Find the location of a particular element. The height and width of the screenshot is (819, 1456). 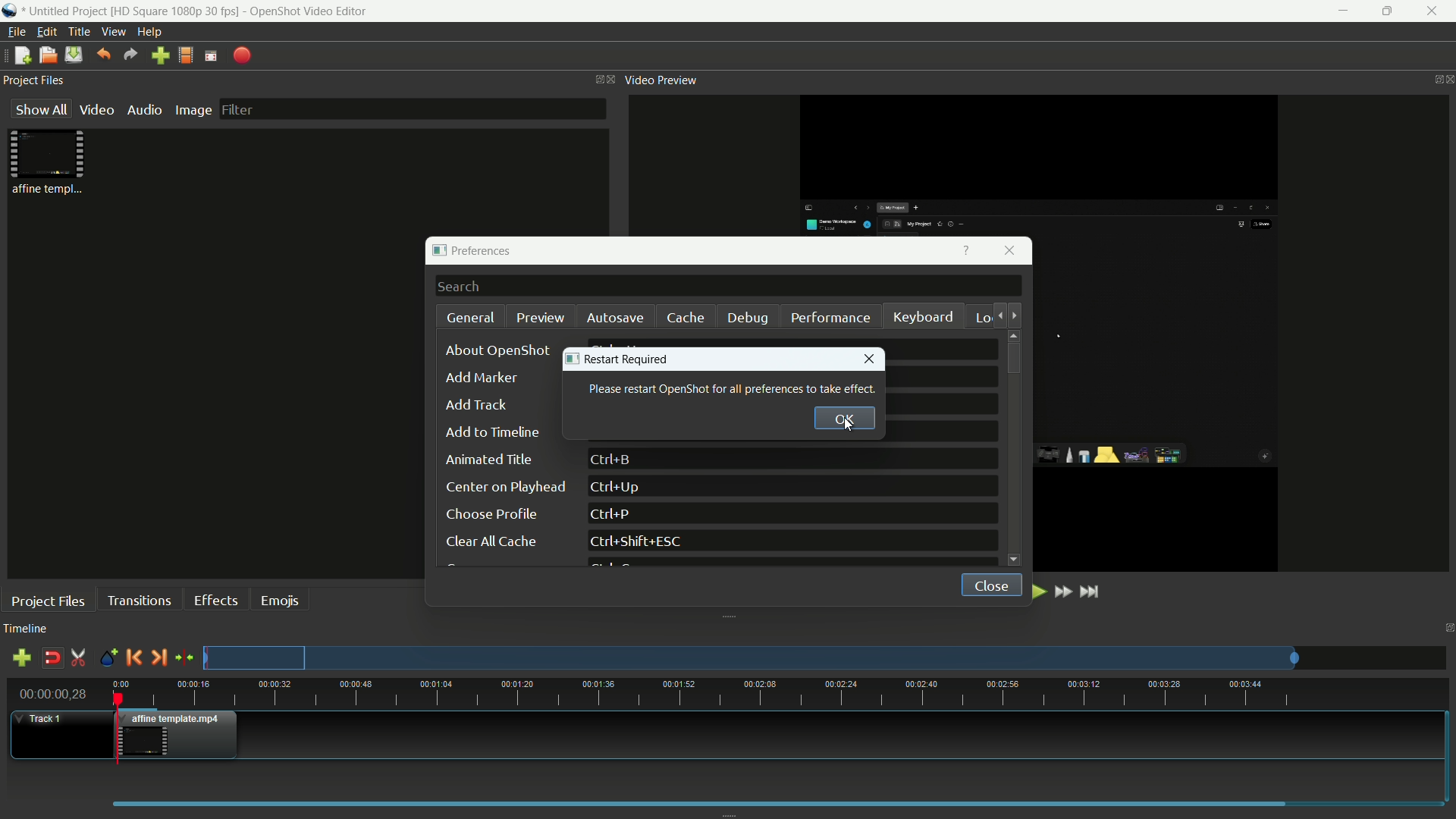

open file is located at coordinates (48, 55).